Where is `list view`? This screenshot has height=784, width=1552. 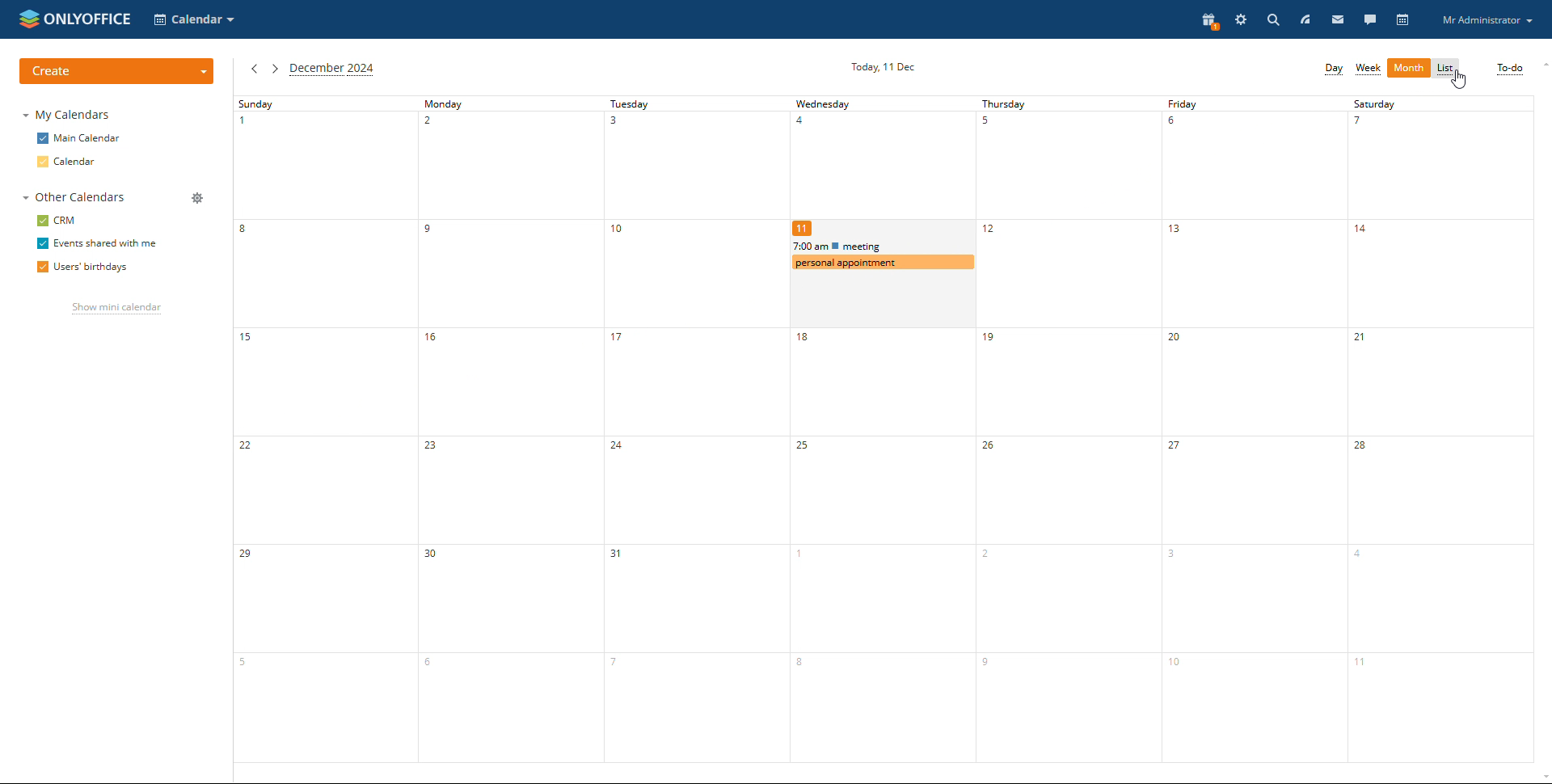
list view is located at coordinates (1447, 70).